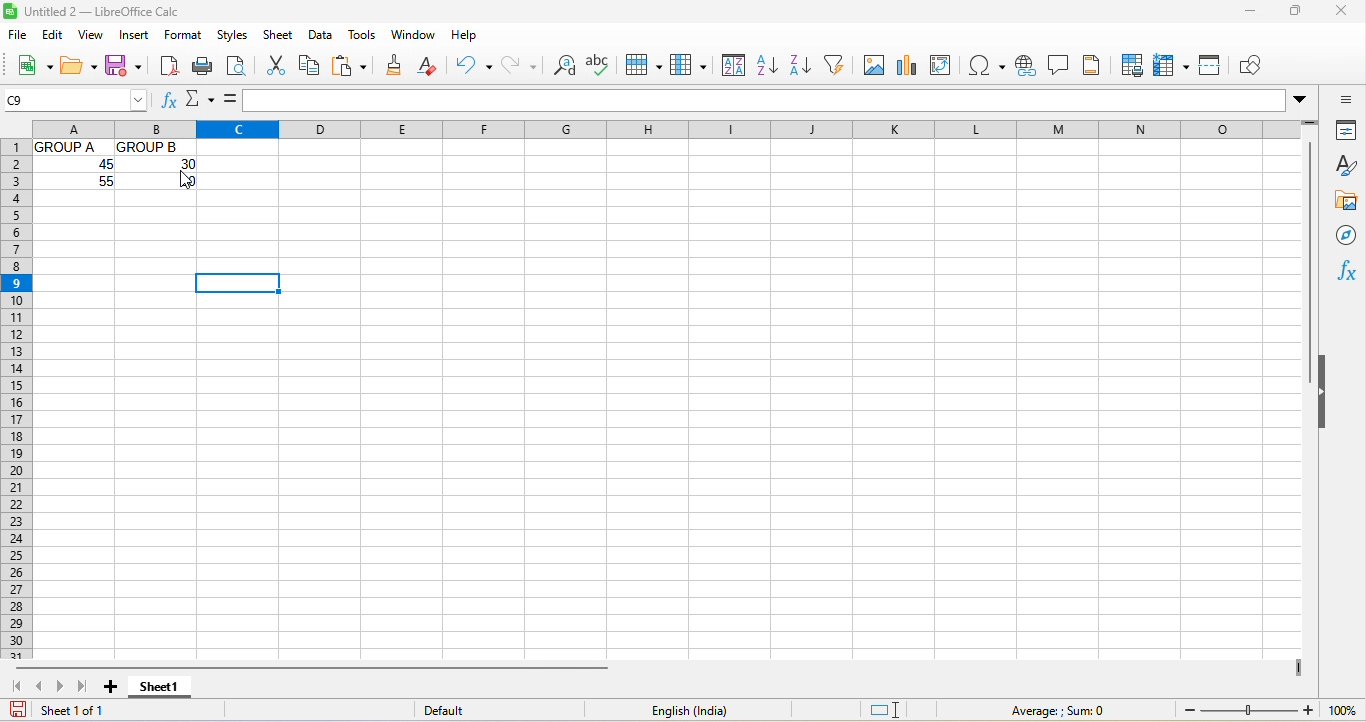  What do you see at coordinates (1344, 163) in the screenshot?
I see `style` at bounding box center [1344, 163].